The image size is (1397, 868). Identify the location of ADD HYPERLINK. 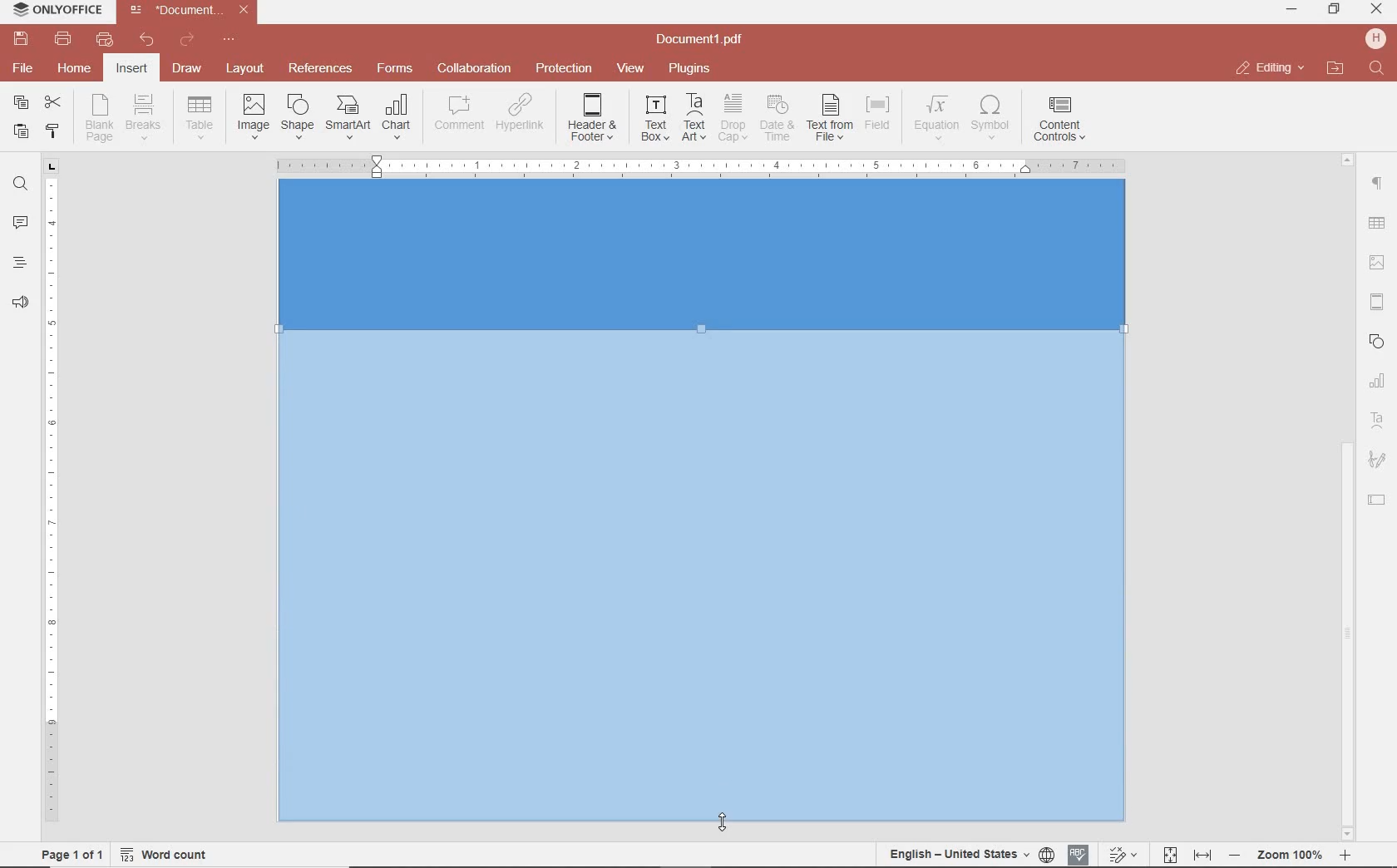
(521, 116).